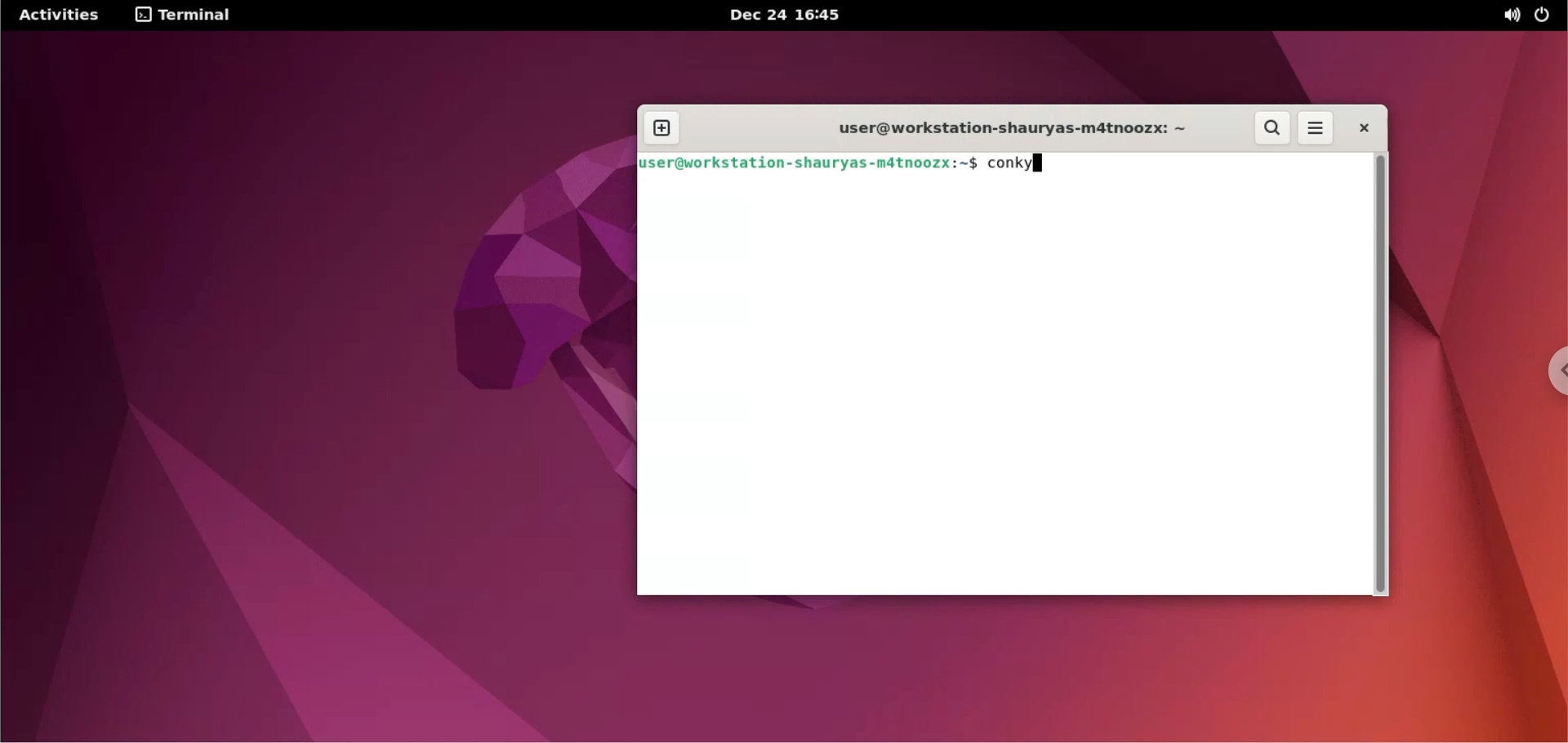 Image resolution: width=1568 pixels, height=743 pixels. What do you see at coordinates (182, 17) in the screenshot?
I see `terminal options` at bounding box center [182, 17].